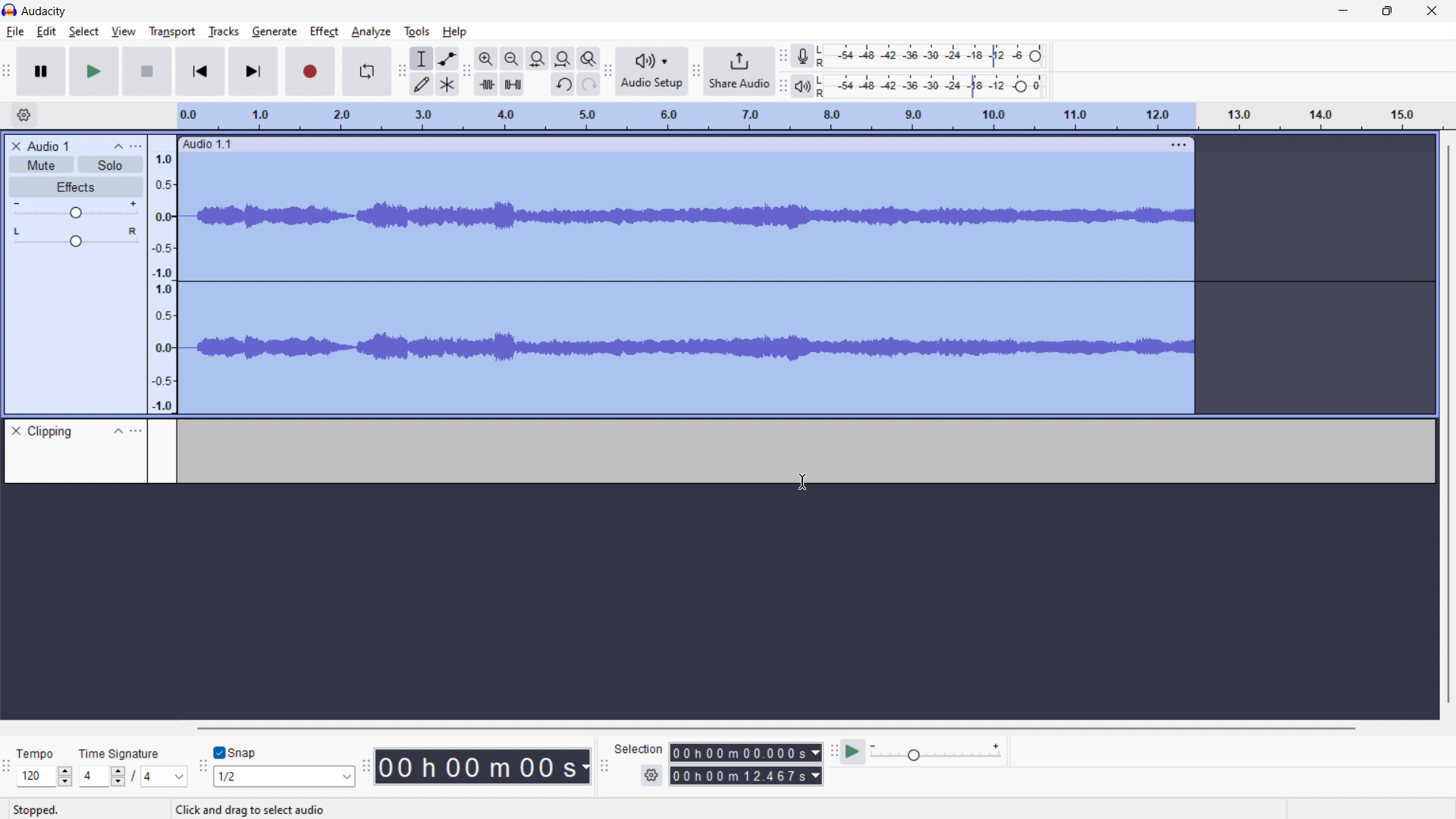 The height and width of the screenshot is (819, 1456). I want to click on playback meter toolbar, so click(783, 87).